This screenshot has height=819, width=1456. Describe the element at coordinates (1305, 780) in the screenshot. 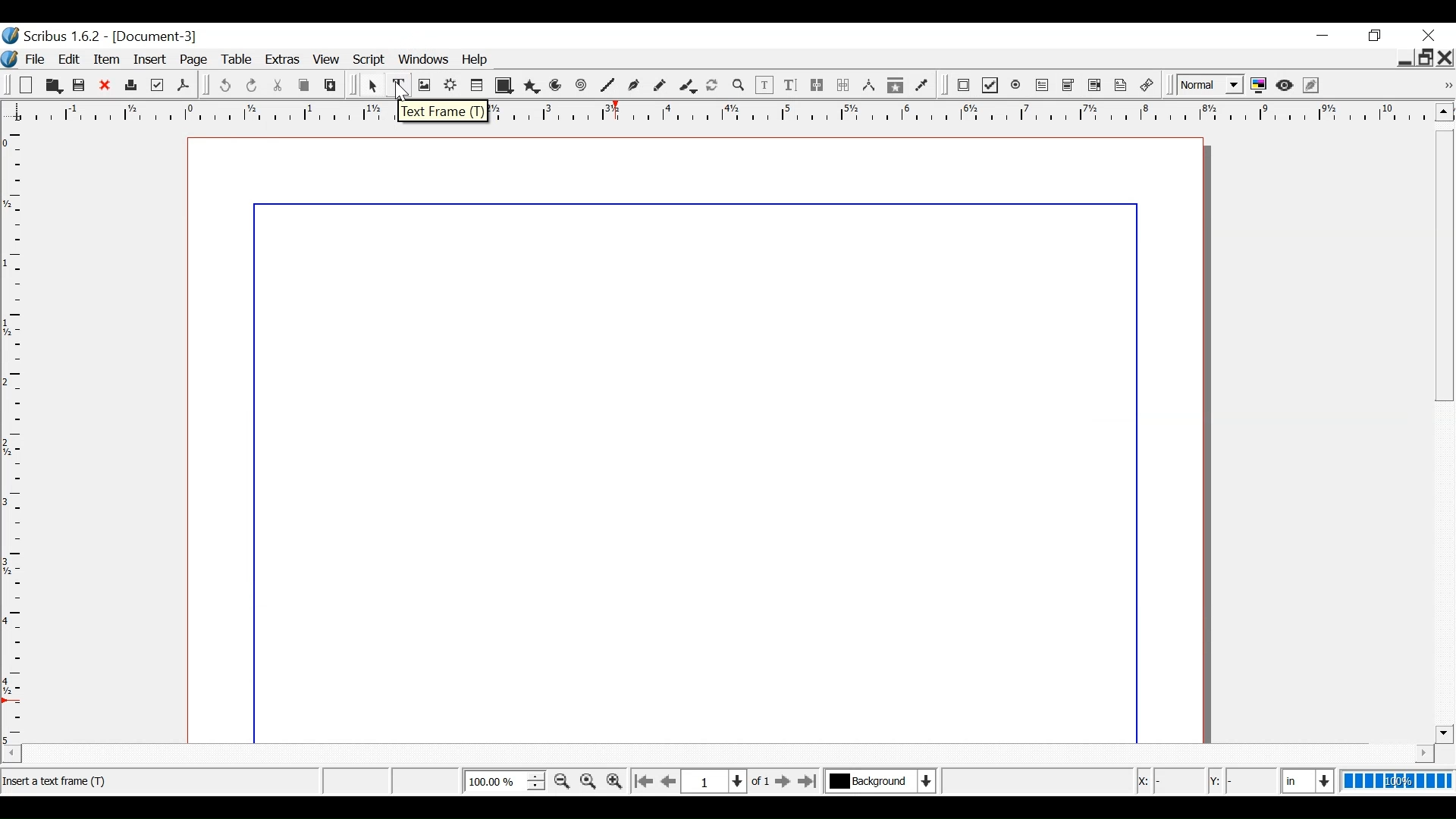

I see `Select the current unit` at that location.